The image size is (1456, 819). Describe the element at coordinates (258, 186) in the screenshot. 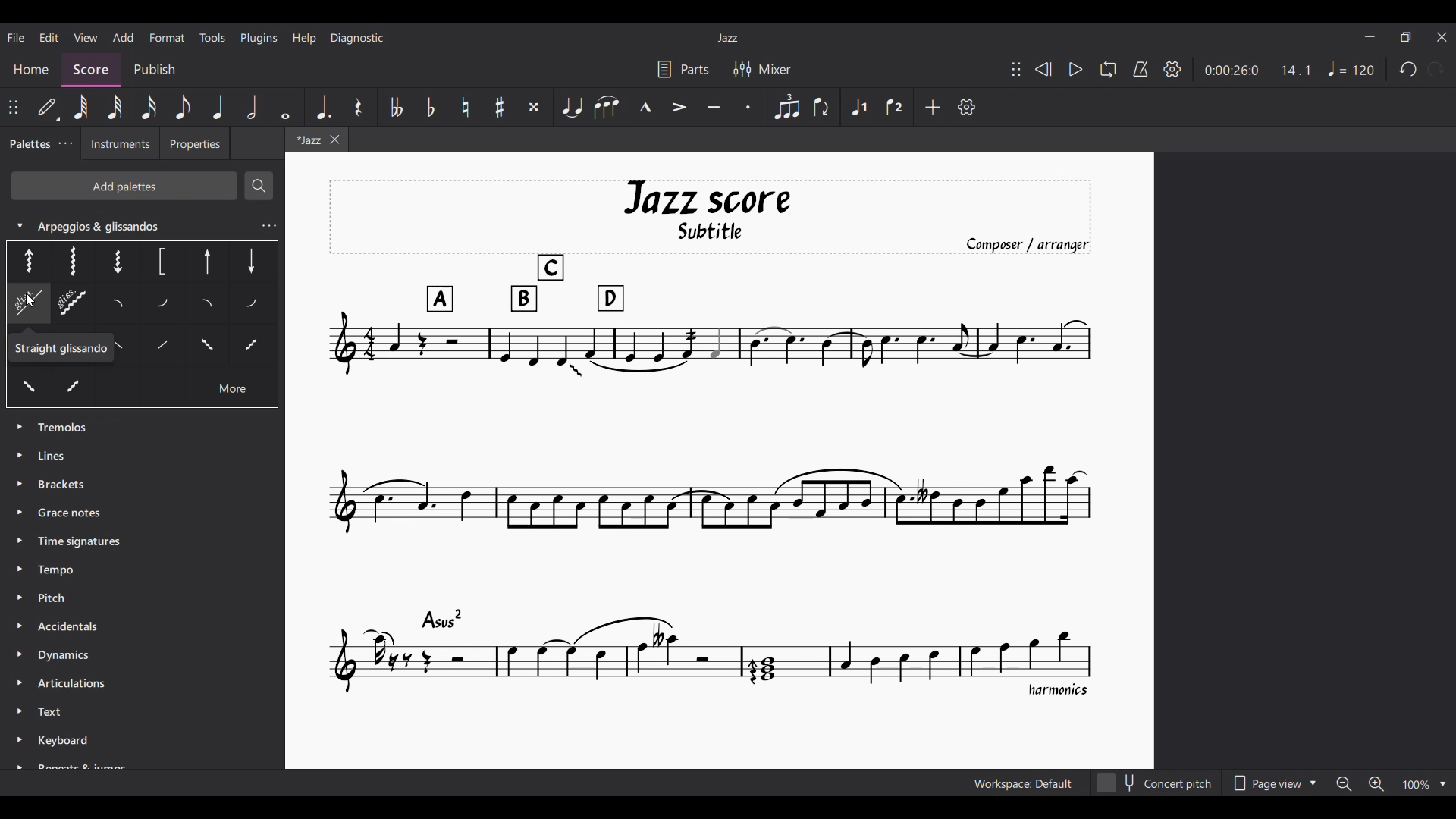

I see `Search` at that location.